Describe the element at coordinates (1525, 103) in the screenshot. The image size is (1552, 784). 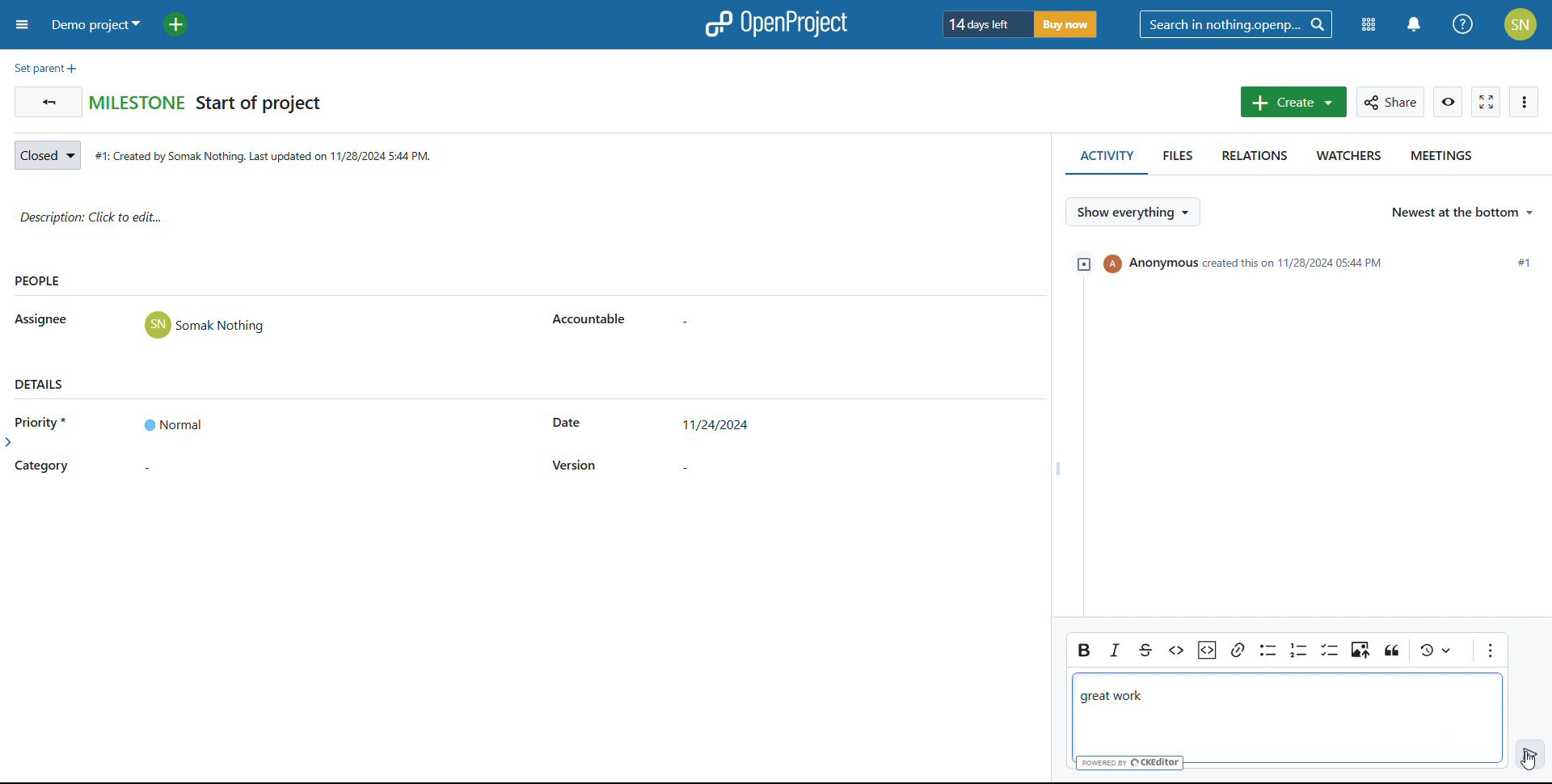
I see `more` at that location.